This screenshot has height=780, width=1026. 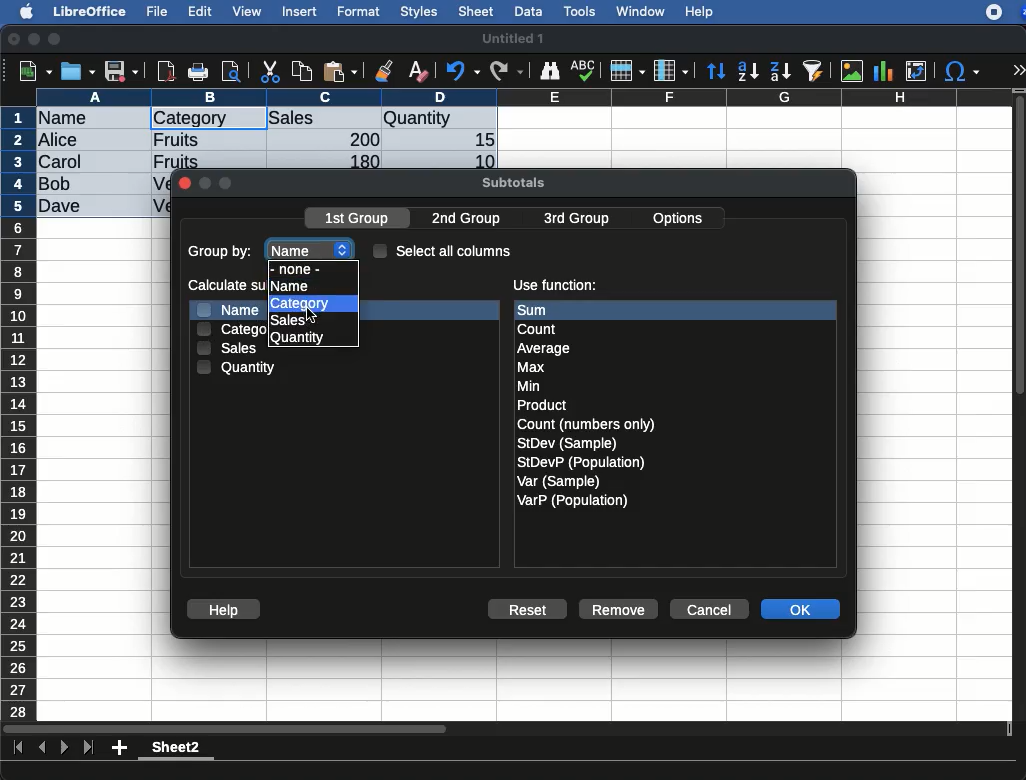 I want to click on format, so click(x=359, y=12).